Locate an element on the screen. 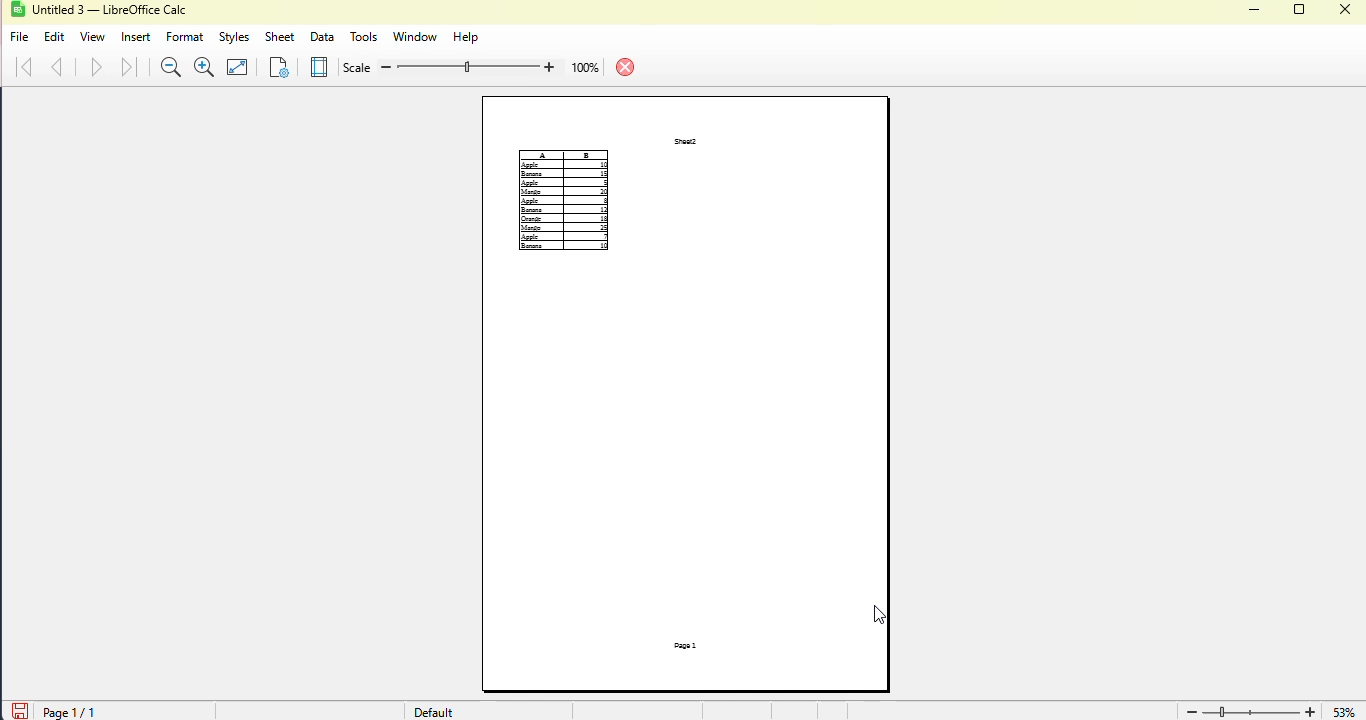 The image size is (1366, 720). Table is located at coordinates (564, 201).